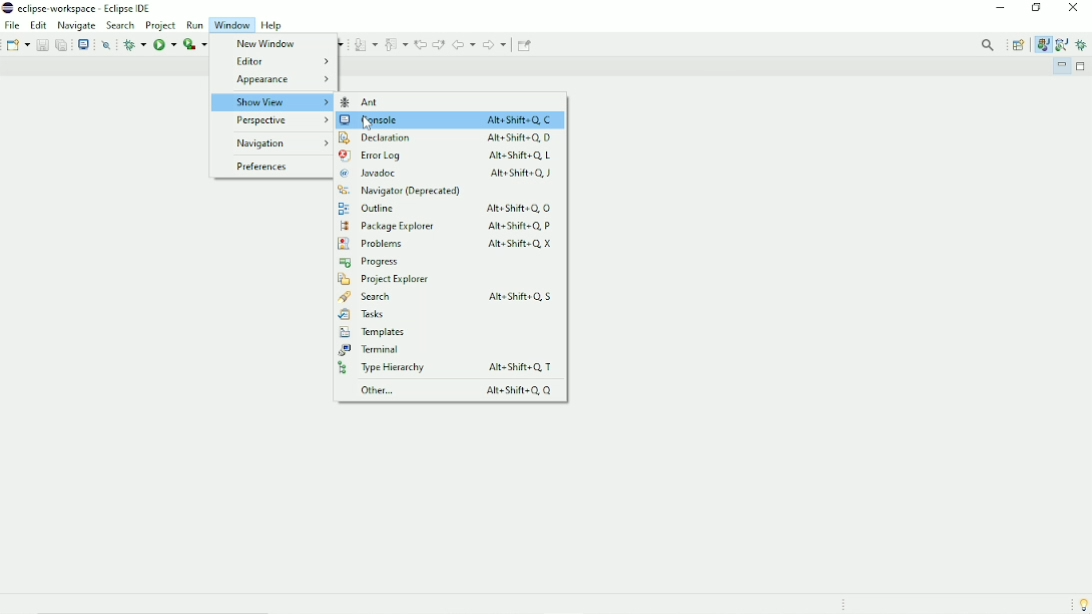  Describe the element at coordinates (39, 24) in the screenshot. I see `Edit` at that location.